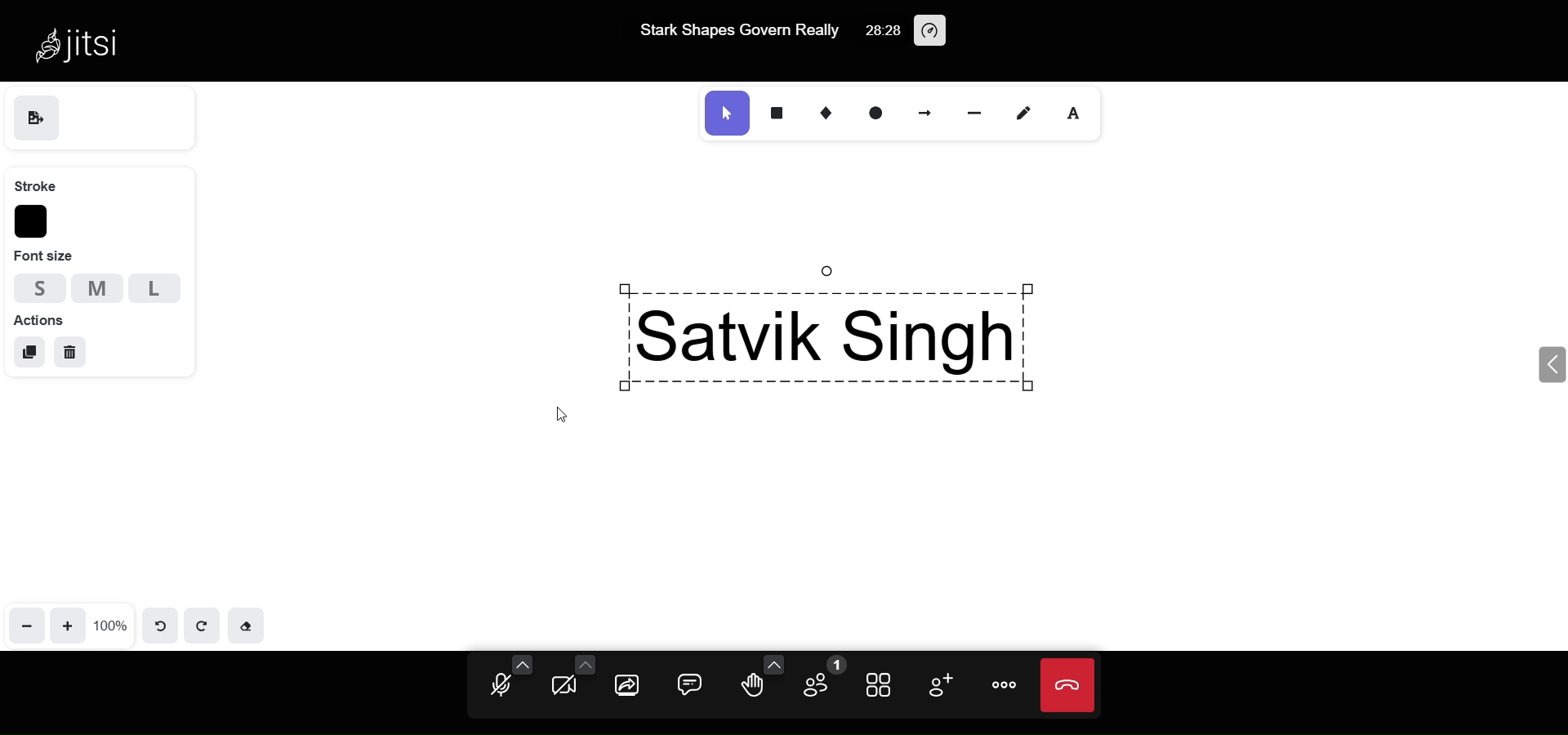 The width and height of the screenshot is (1568, 735). What do you see at coordinates (161, 287) in the screenshot?
I see `Large` at bounding box center [161, 287].